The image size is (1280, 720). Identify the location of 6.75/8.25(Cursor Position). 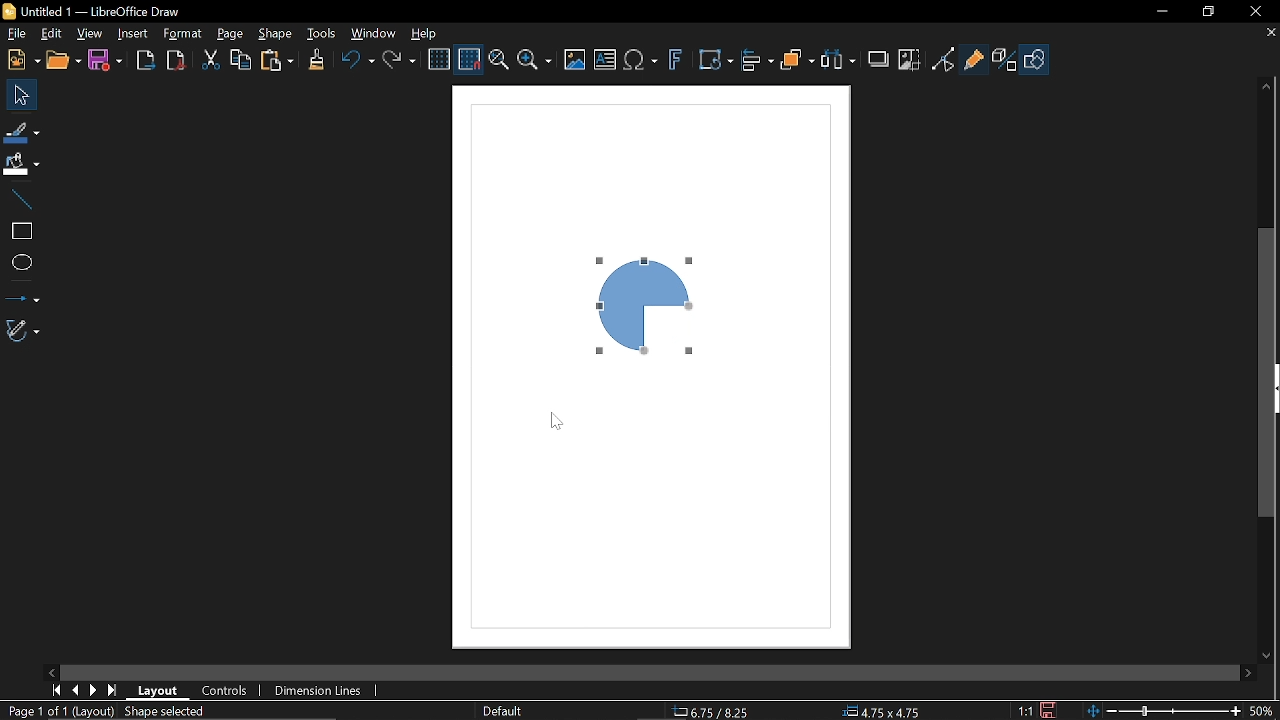
(714, 709).